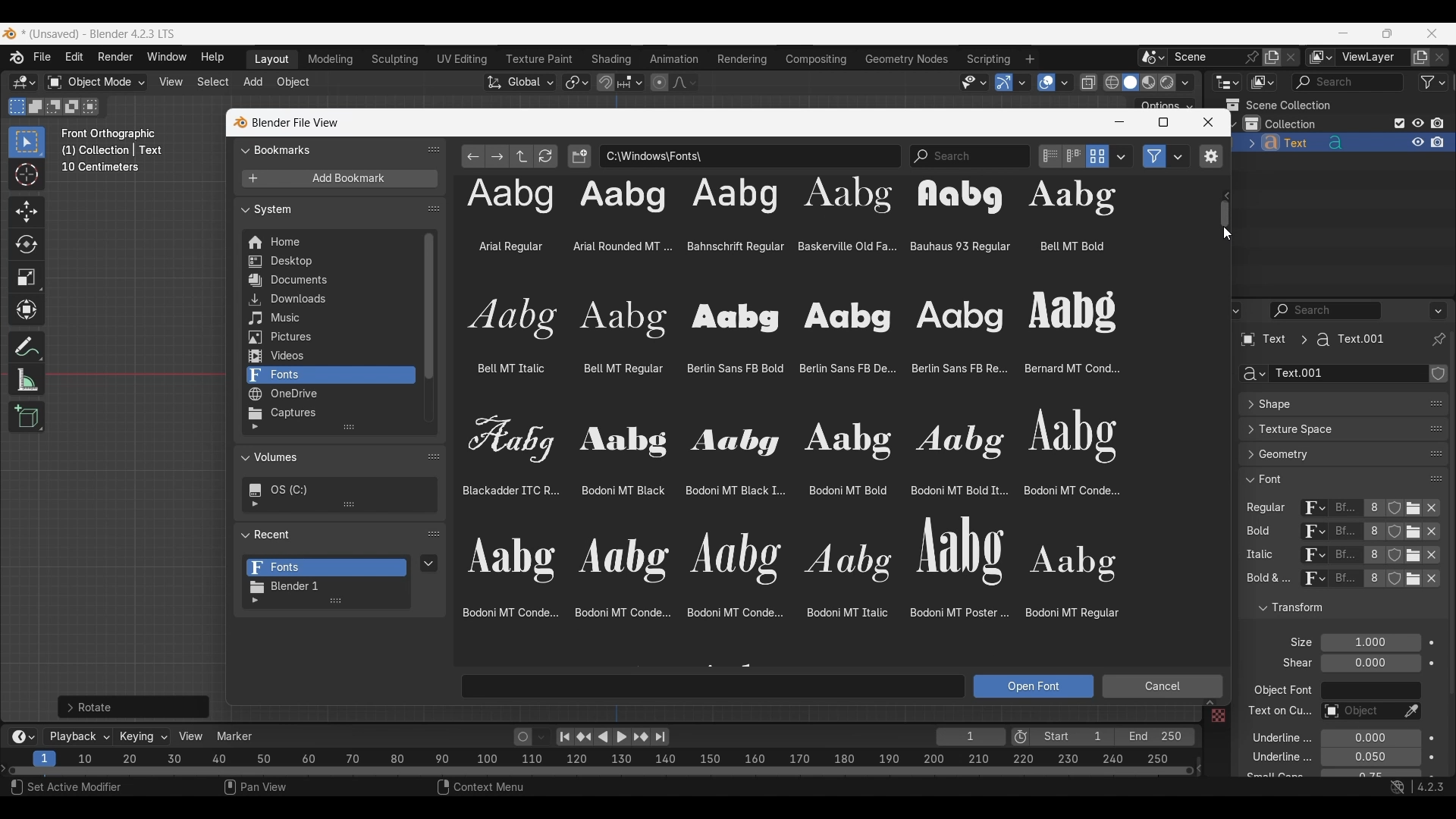 Image resolution: width=1456 pixels, height=819 pixels. Describe the element at coordinates (523, 737) in the screenshot. I see `Auto keying ` at that location.